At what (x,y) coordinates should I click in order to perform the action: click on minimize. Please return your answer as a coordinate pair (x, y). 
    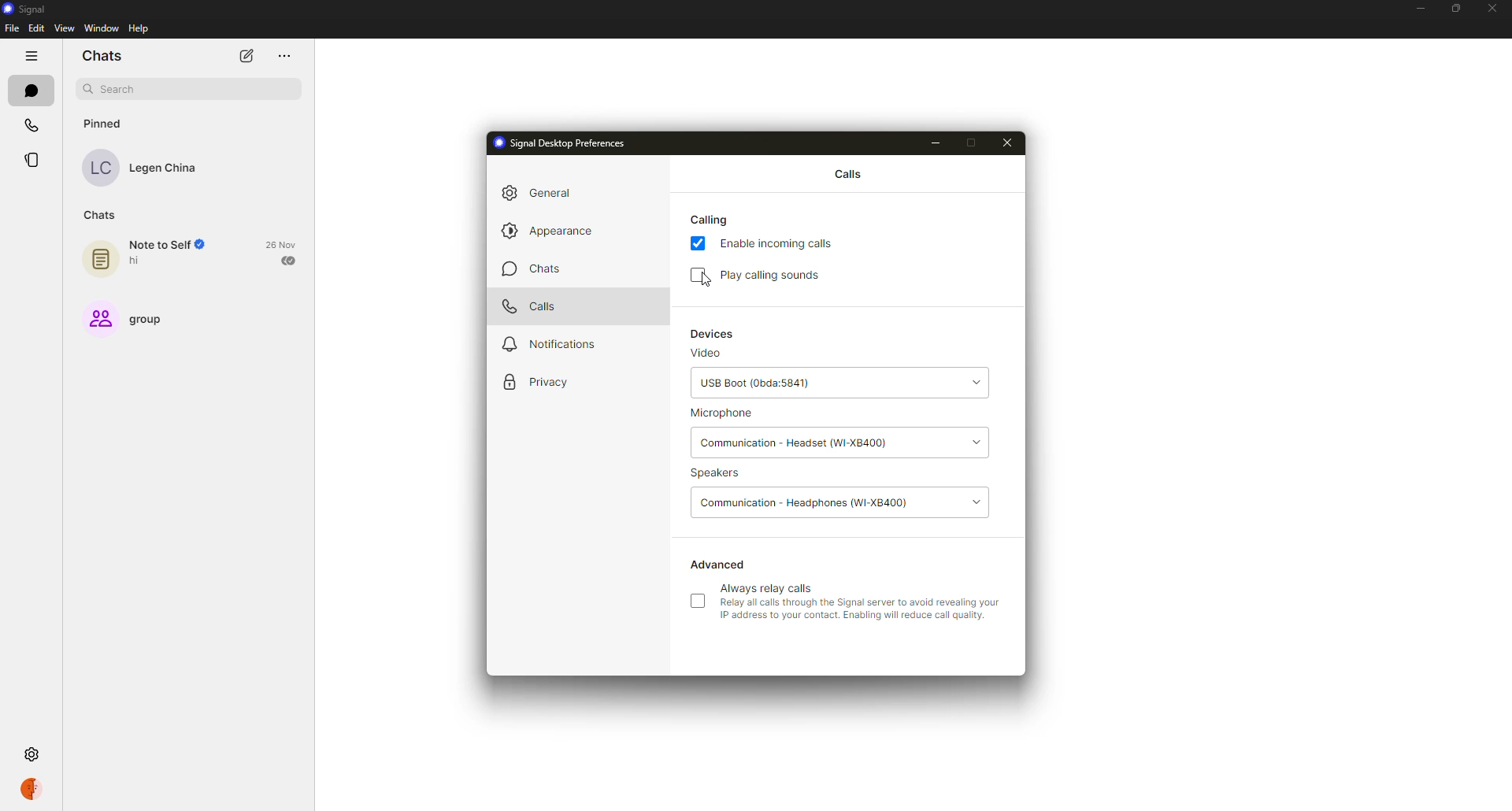
    Looking at the image, I should click on (937, 143).